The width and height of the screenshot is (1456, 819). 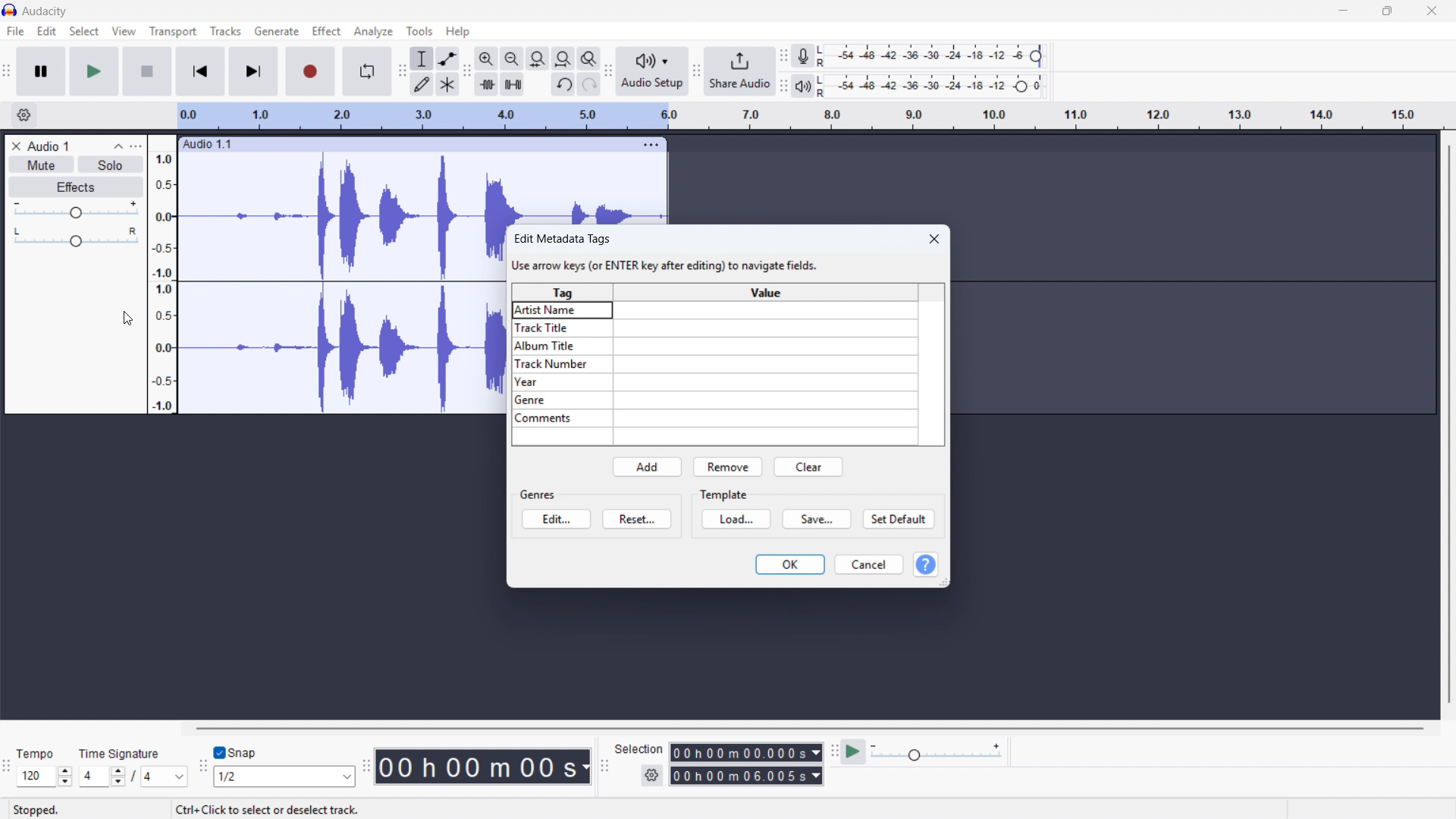 What do you see at coordinates (372, 32) in the screenshot?
I see `analyze` at bounding box center [372, 32].